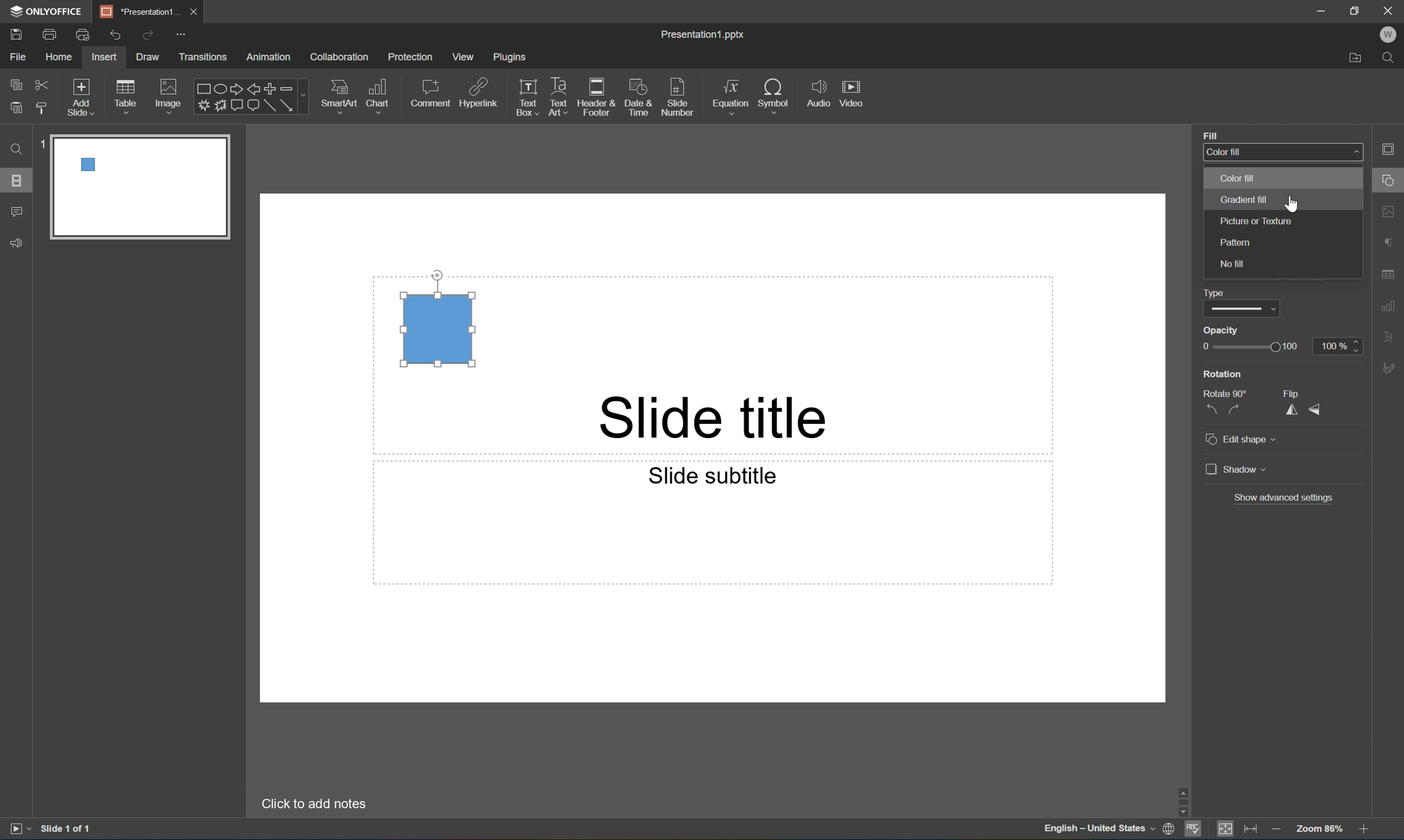 This screenshot has height=840, width=1404. What do you see at coordinates (1364, 788) in the screenshot?
I see `Scroll Up` at bounding box center [1364, 788].